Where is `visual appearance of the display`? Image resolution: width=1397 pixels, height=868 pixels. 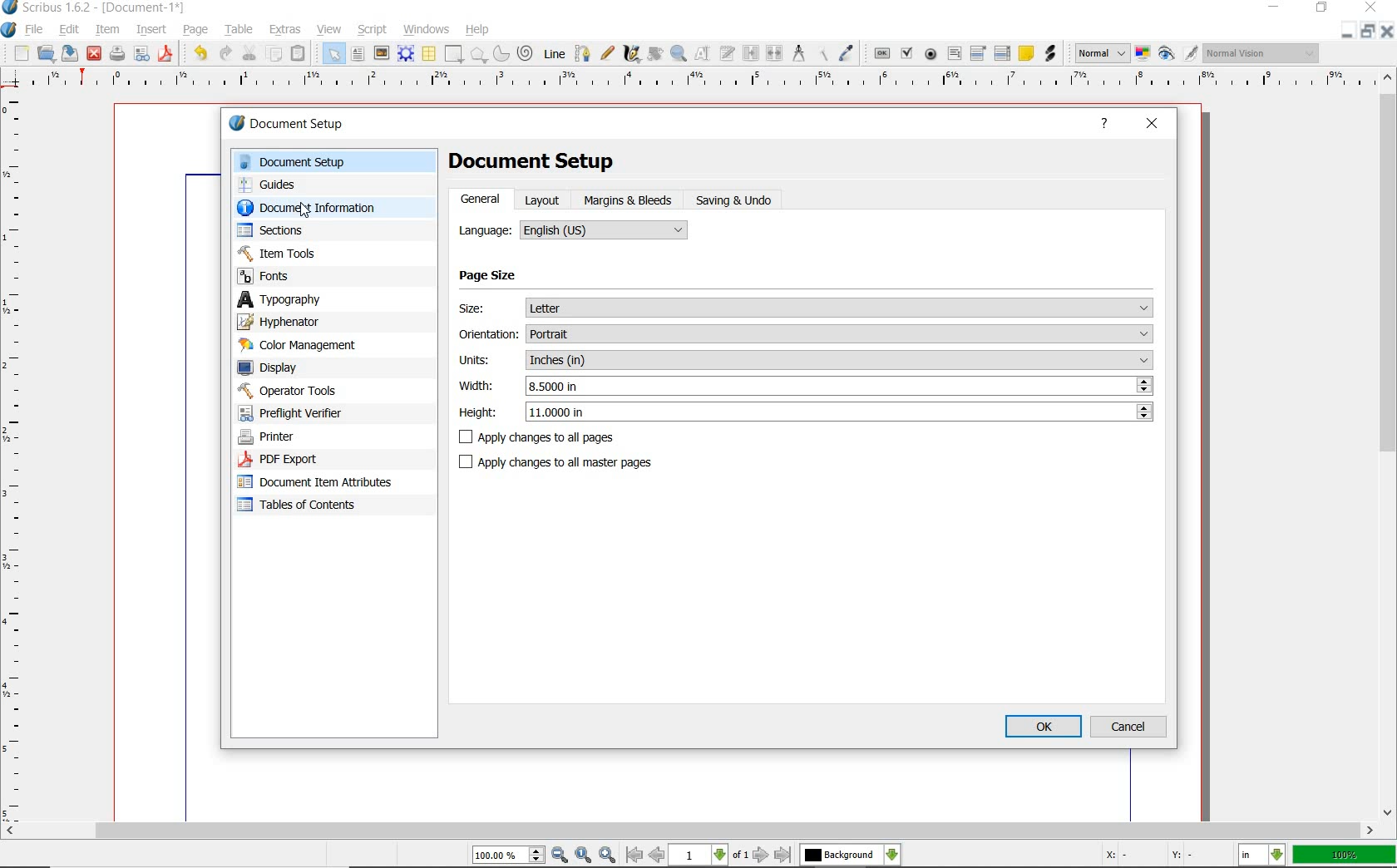
visual appearance of the display is located at coordinates (1262, 52).